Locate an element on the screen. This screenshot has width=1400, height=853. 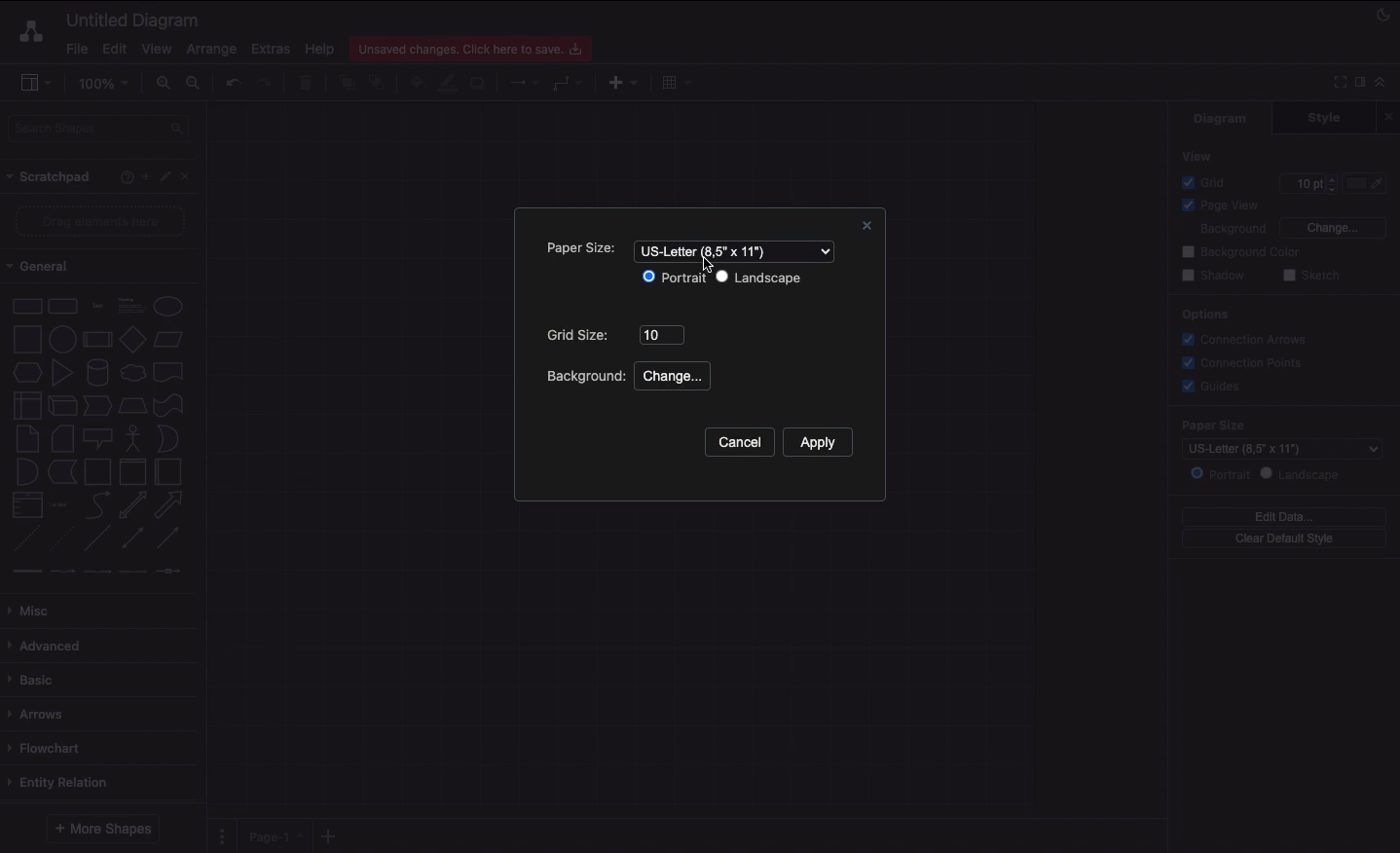
Options is located at coordinates (1203, 314).